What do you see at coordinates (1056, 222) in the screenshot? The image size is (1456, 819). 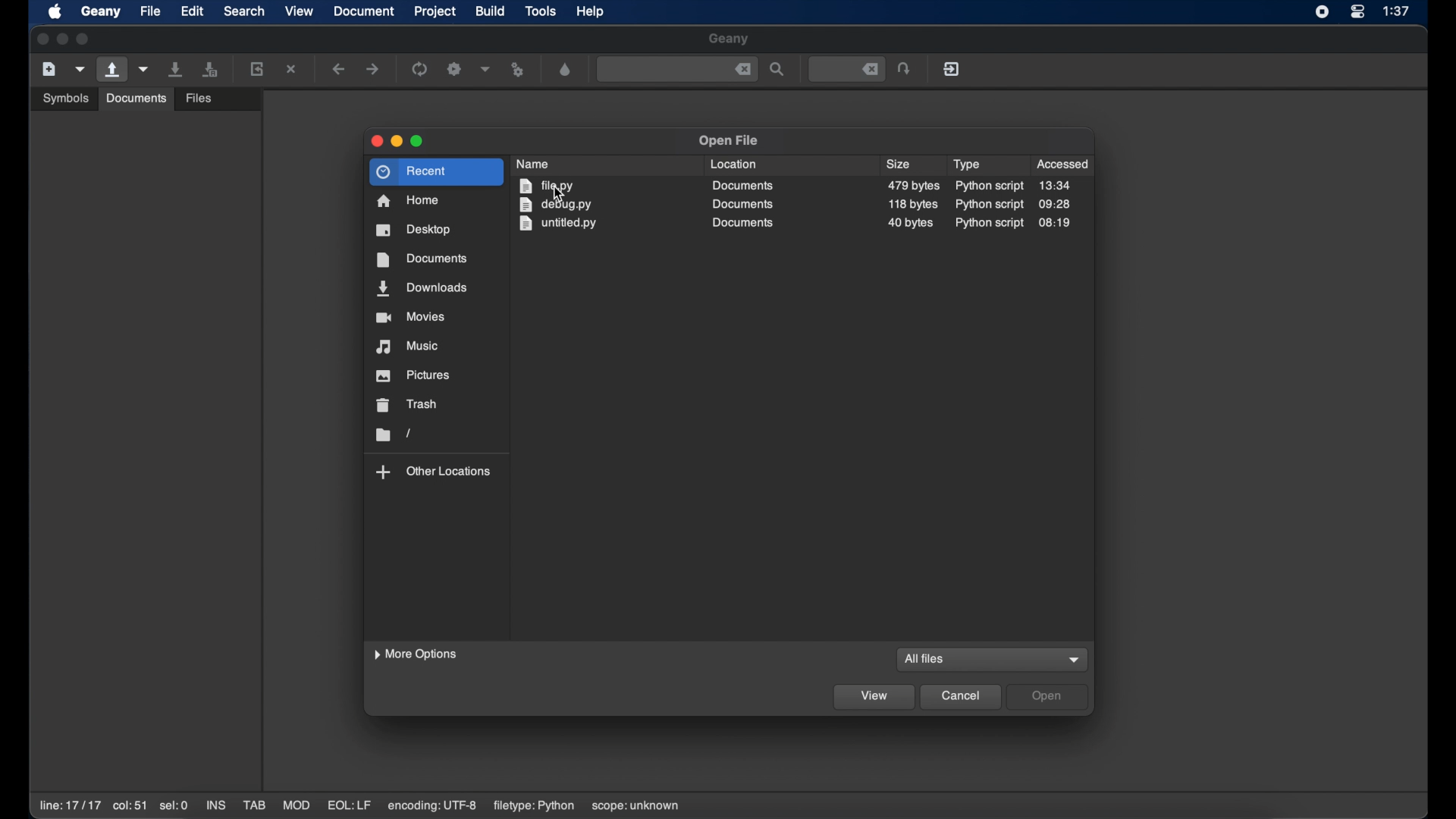 I see `08:19` at bounding box center [1056, 222].